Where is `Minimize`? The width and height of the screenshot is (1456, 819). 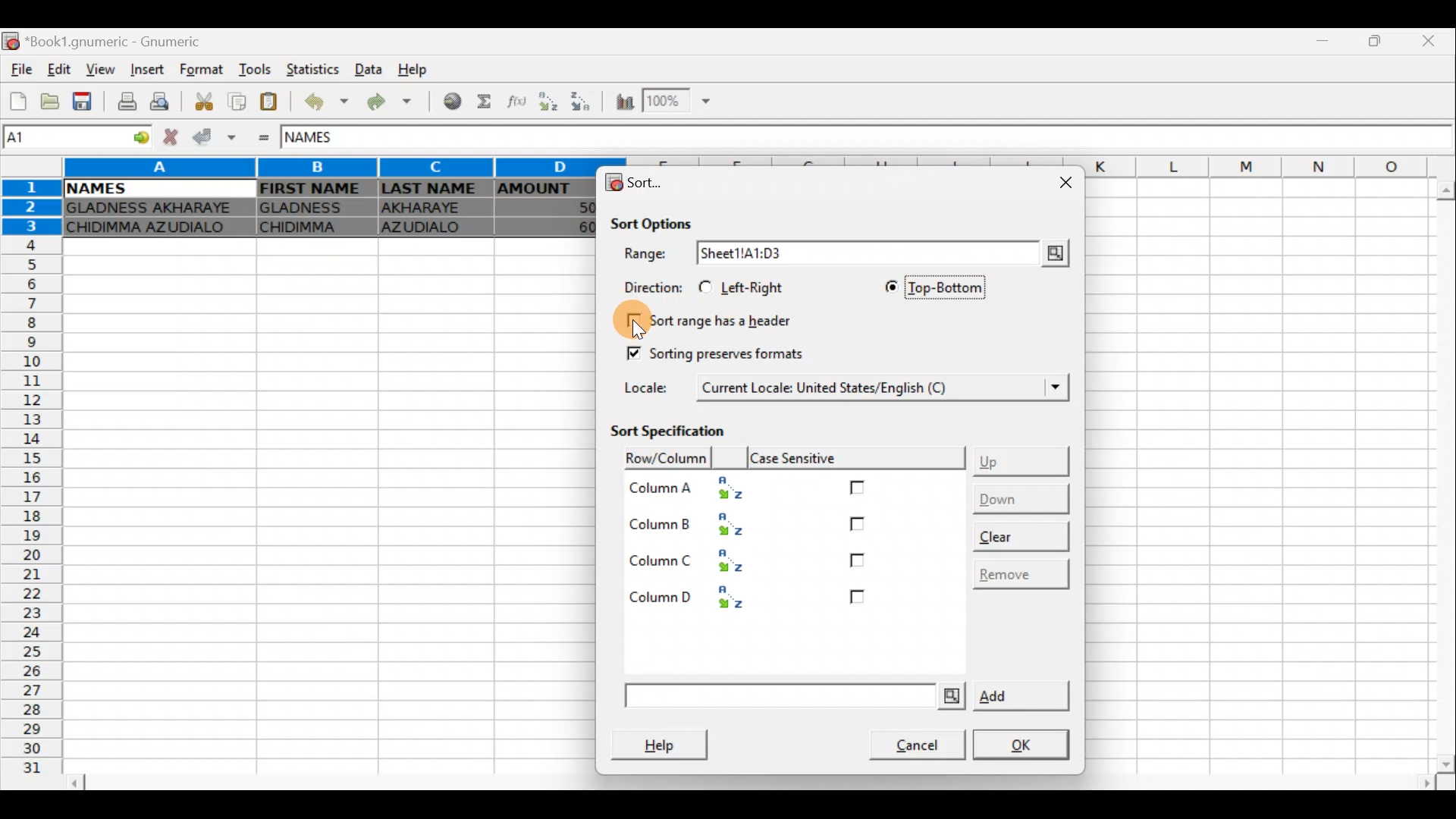
Minimize is located at coordinates (1323, 45).